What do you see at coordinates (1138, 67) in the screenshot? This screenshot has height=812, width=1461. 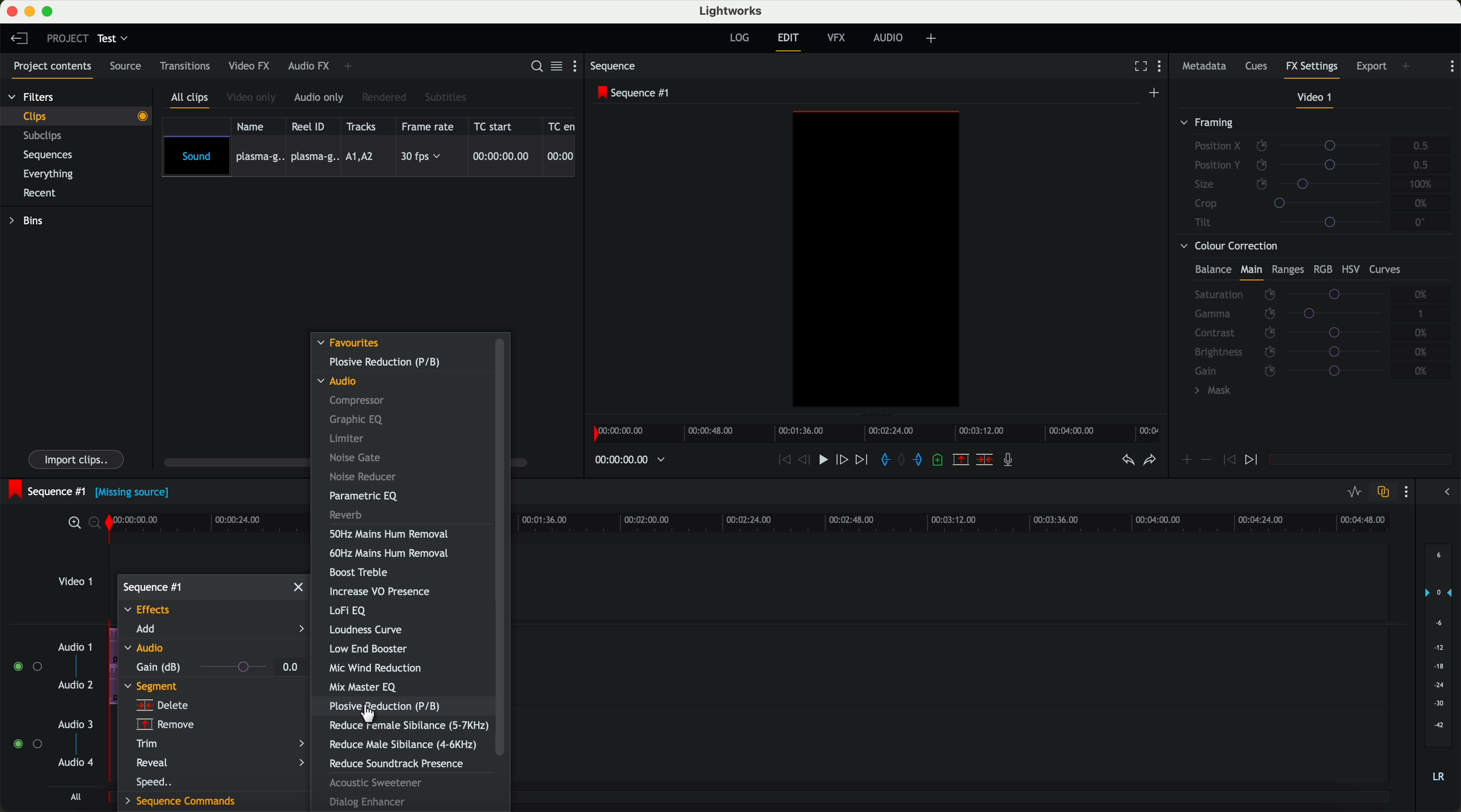 I see `fullscreen` at bounding box center [1138, 67].